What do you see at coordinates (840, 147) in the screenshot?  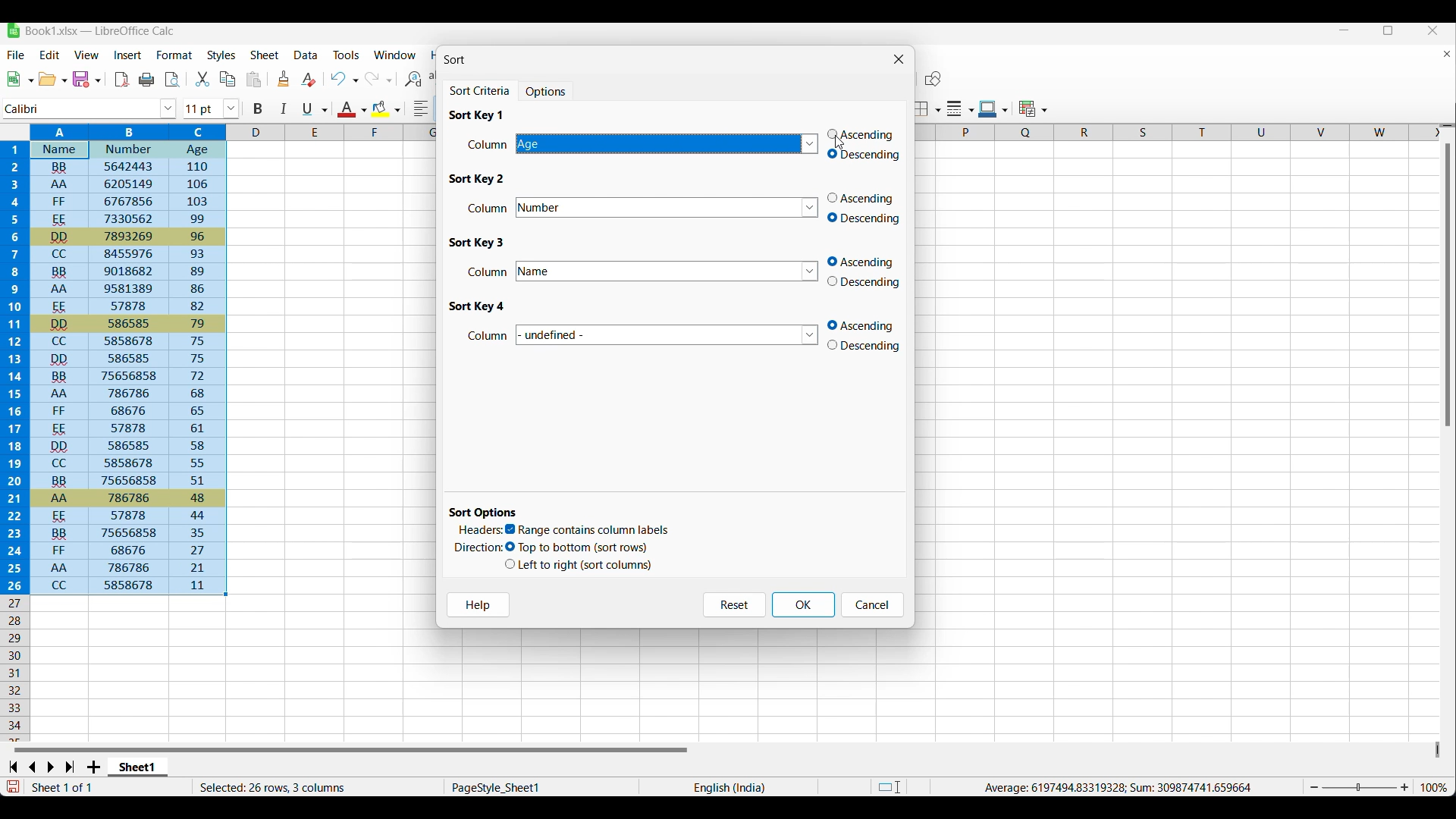 I see `cursor` at bounding box center [840, 147].